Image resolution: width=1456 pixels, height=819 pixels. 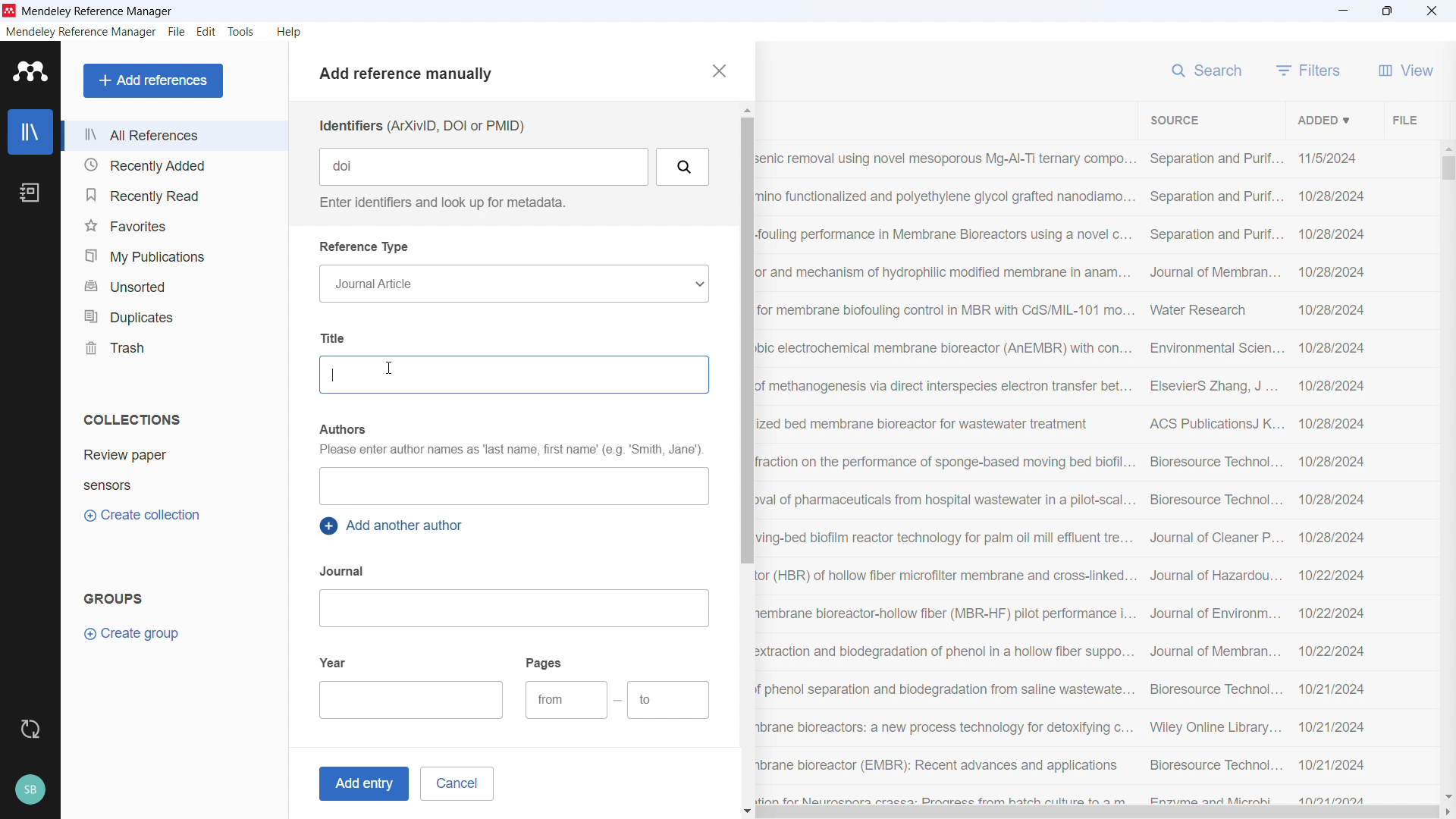 What do you see at coordinates (717, 71) in the screenshot?
I see `close pane` at bounding box center [717, 71].